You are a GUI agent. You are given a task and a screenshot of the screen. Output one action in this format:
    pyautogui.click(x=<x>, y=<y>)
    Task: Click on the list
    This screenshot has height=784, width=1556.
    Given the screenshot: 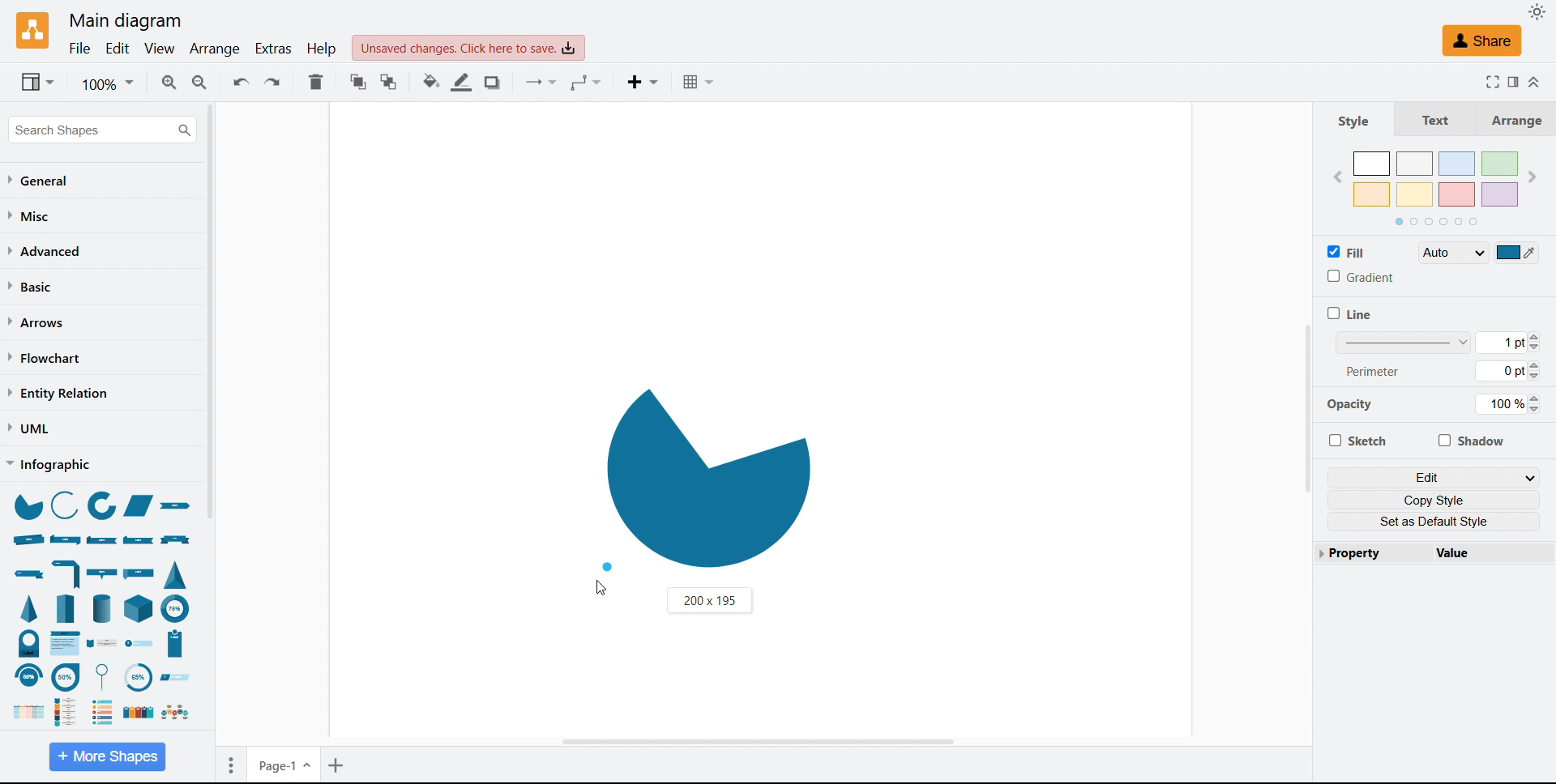 What is the action you would take?
    pyautogui.click(x=136, y=713)
    